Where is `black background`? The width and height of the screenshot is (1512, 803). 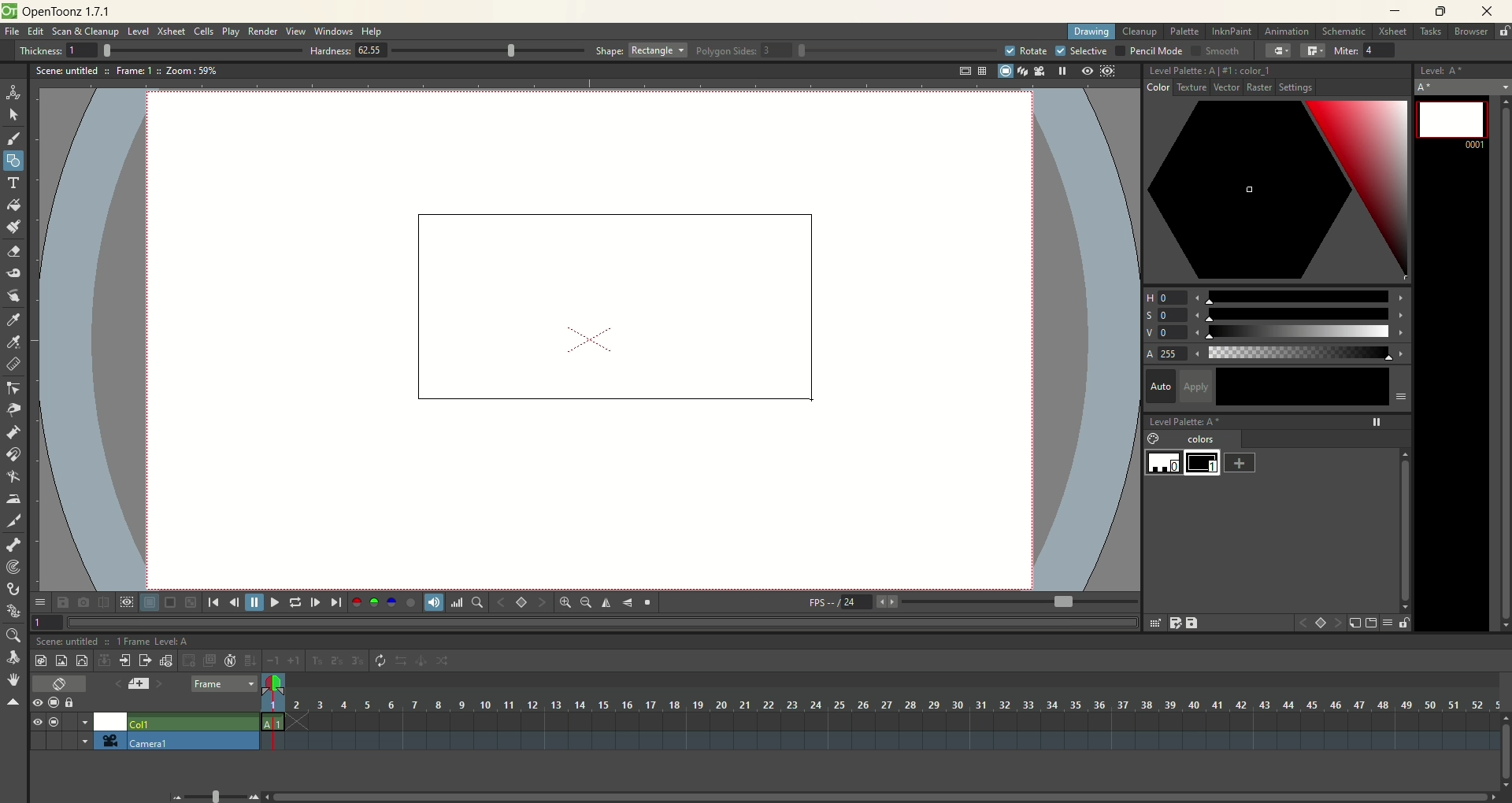
black background is located at coordinates (170, 603).